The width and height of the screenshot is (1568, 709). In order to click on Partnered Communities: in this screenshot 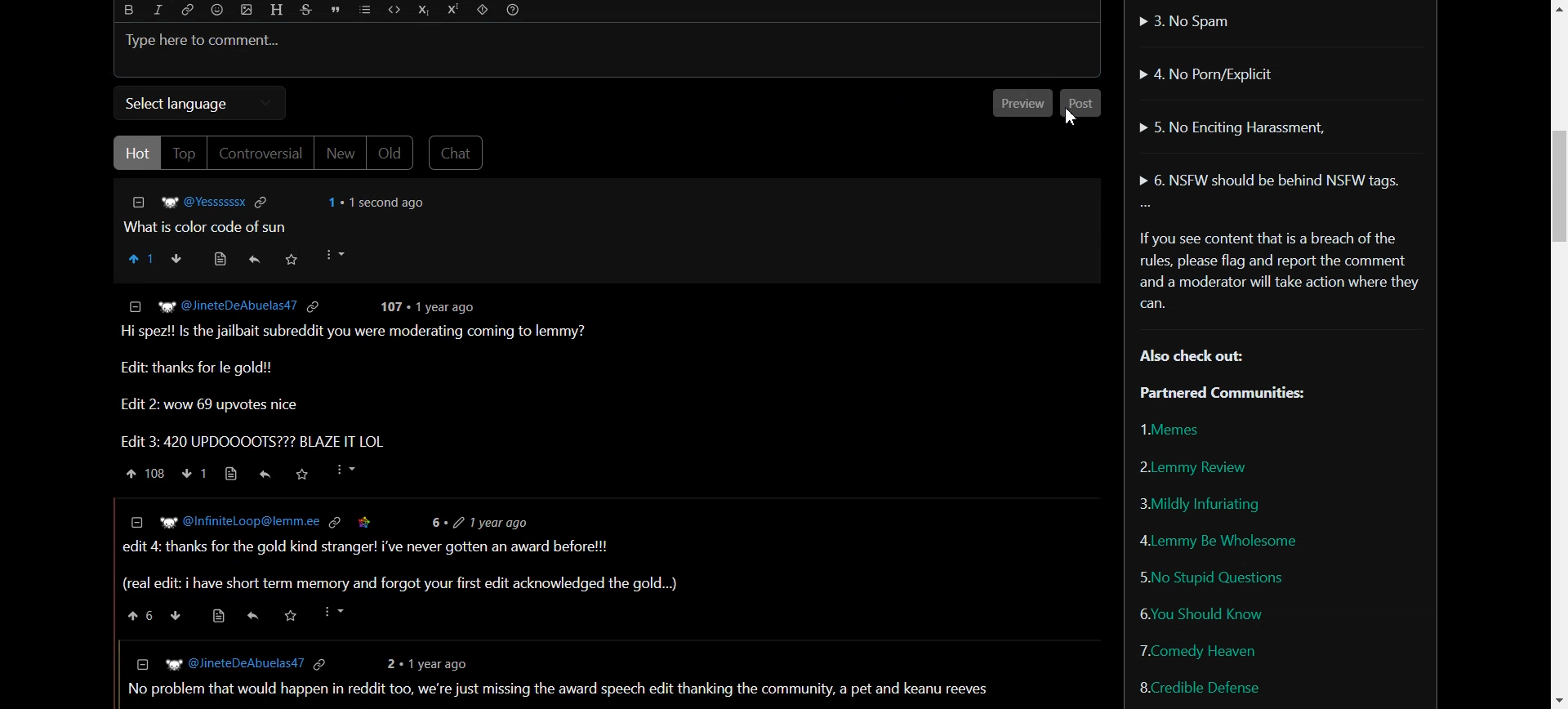, I will do `click(1242, 393)`.